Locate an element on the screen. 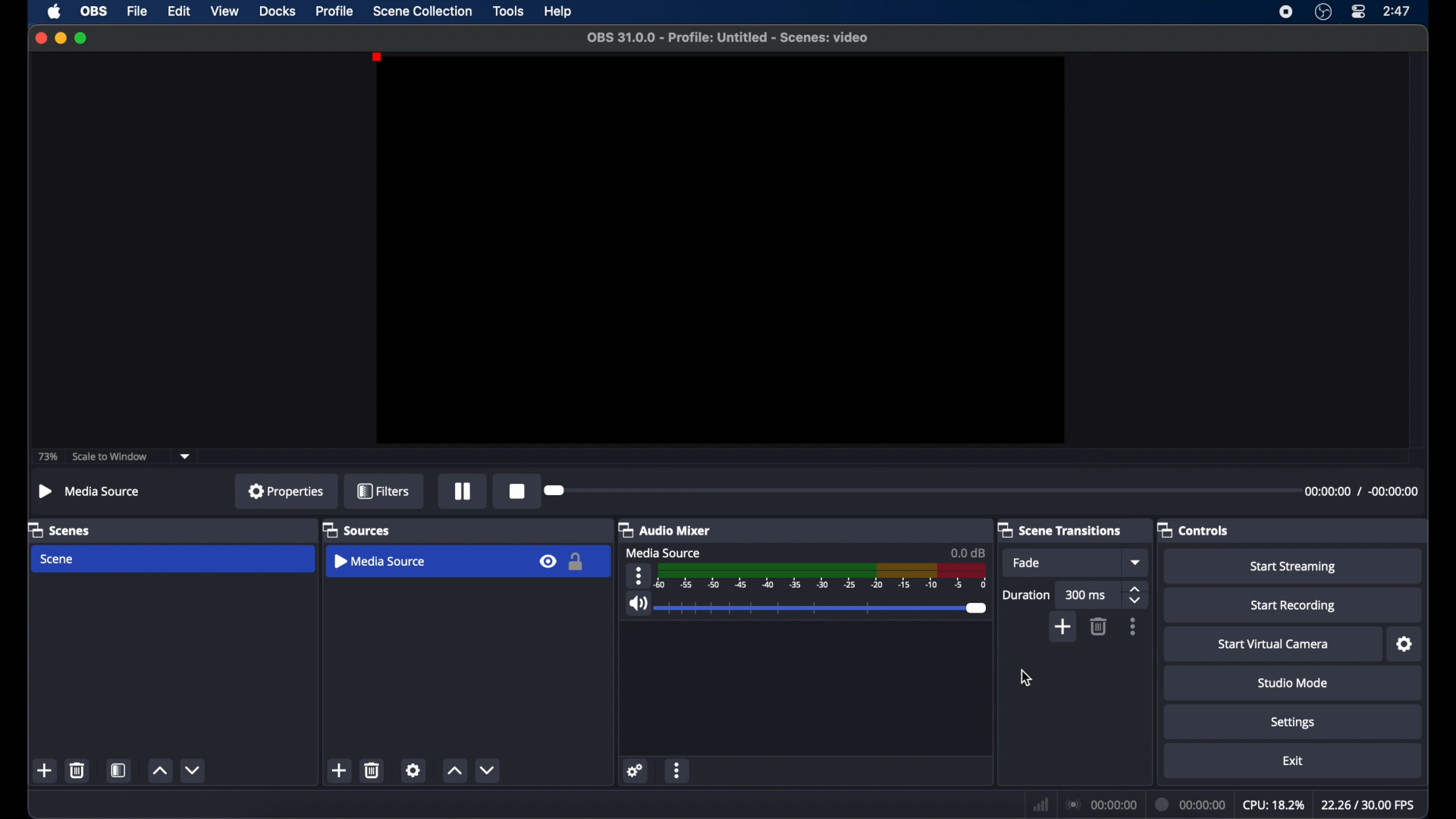 The height and width of the screenshot is (819, 1456). more options is located at coordinates (640, 576).